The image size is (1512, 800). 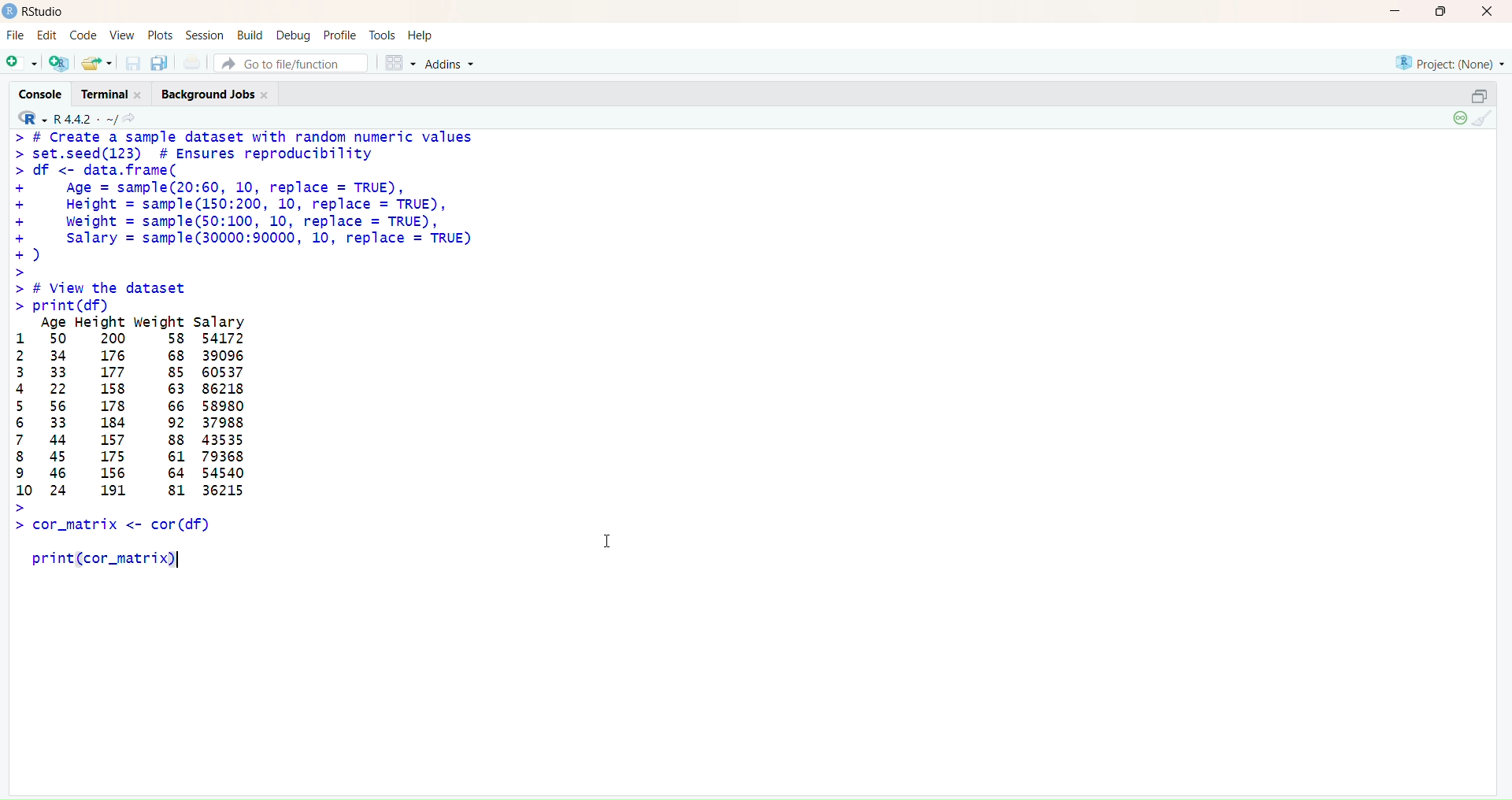 I want to click on Profile, so click(x=341, y=35).